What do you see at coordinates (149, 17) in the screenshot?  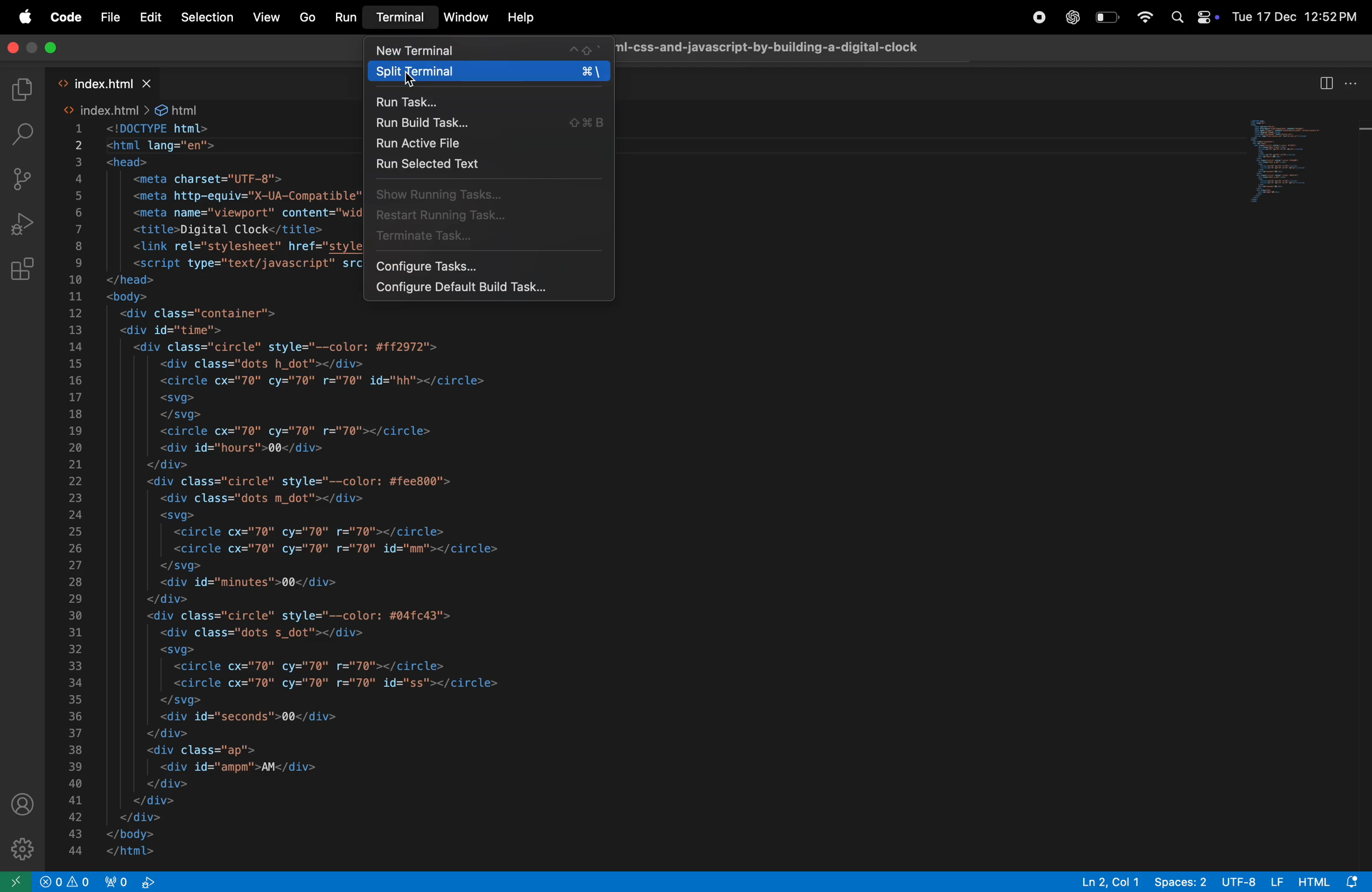 I see `Edit` at bounding box center [149, 17].